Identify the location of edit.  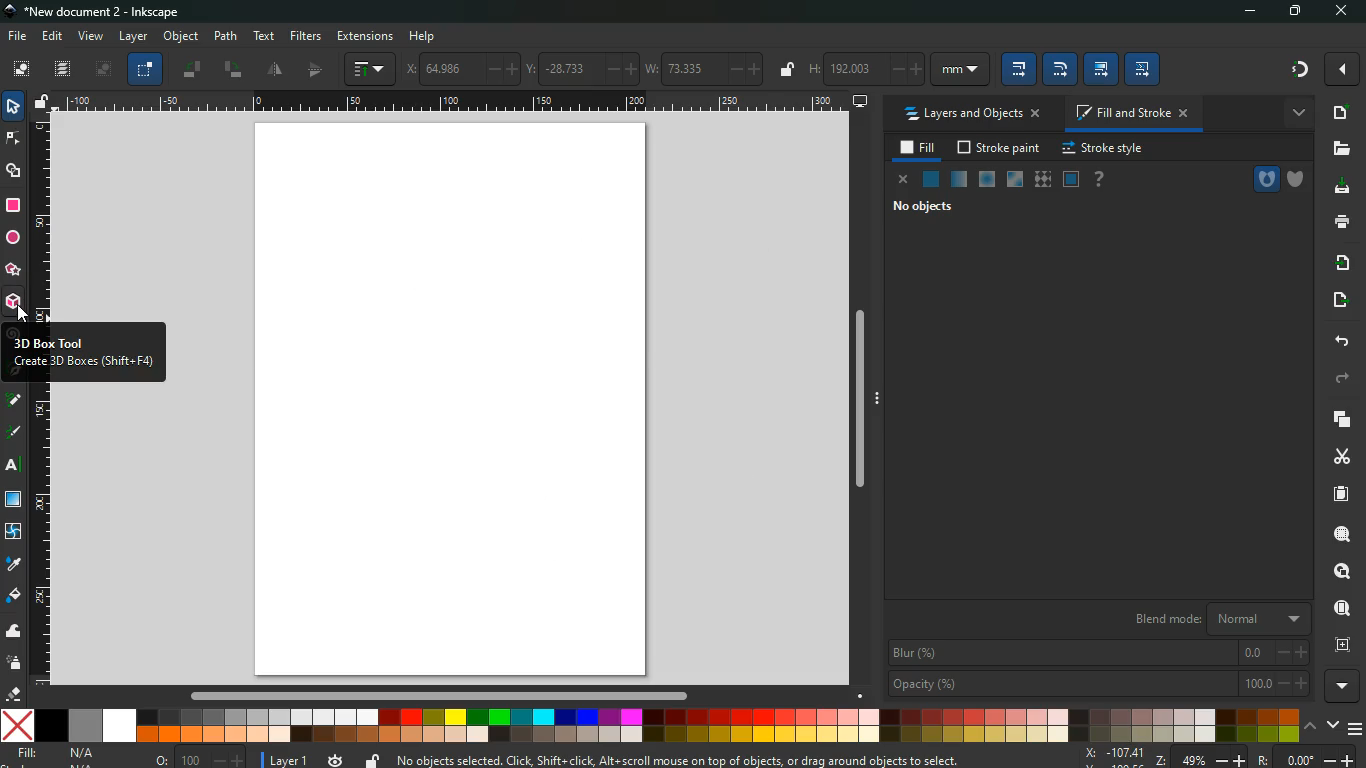
(54, 36).